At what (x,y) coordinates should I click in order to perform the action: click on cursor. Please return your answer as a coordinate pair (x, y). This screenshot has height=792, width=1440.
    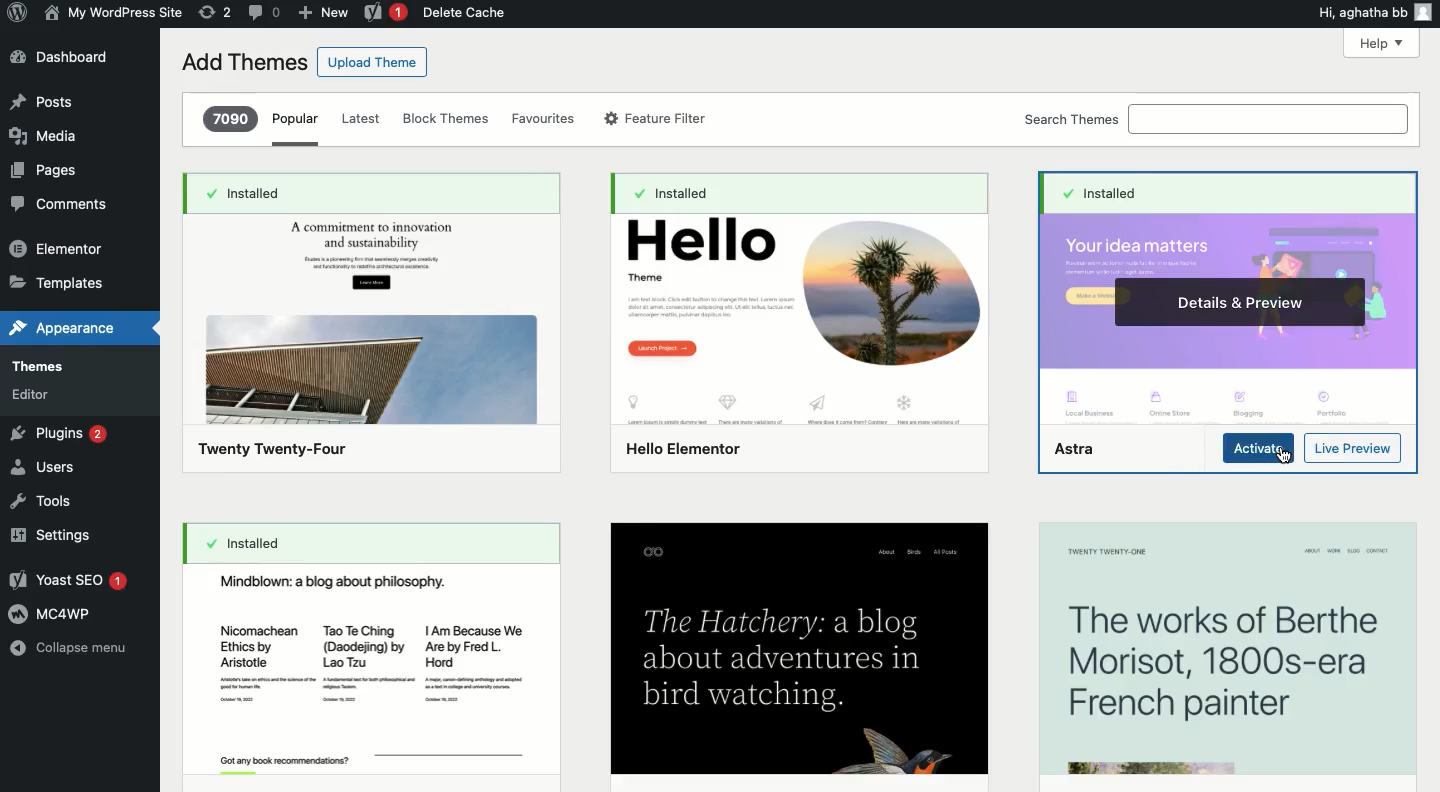
    Looking at the image, I should click on (1285, 454).